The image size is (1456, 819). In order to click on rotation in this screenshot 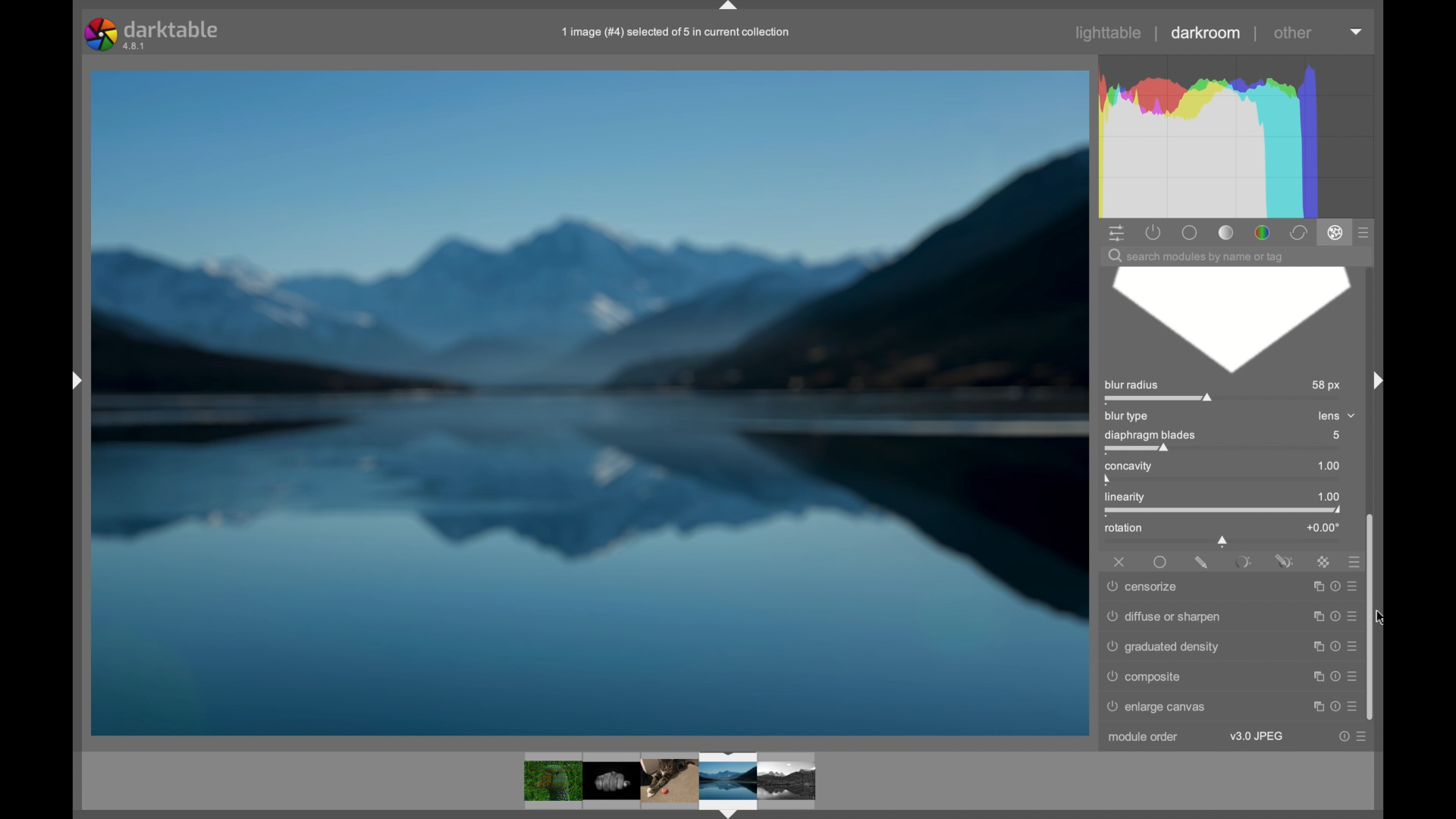, I will do `click(1124, 529)`.